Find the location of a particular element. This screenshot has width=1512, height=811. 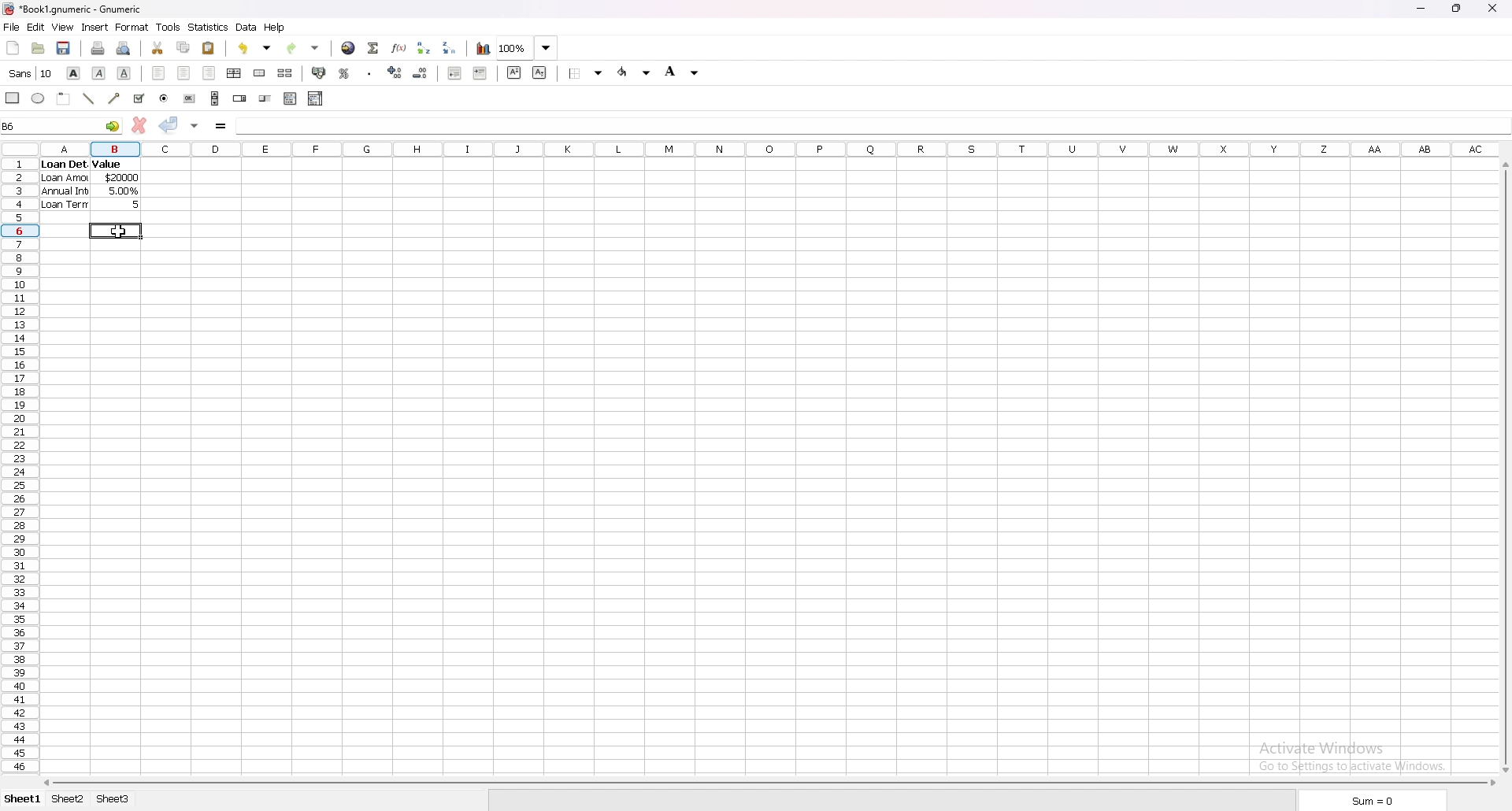

open is located at coordinates (38, 47).